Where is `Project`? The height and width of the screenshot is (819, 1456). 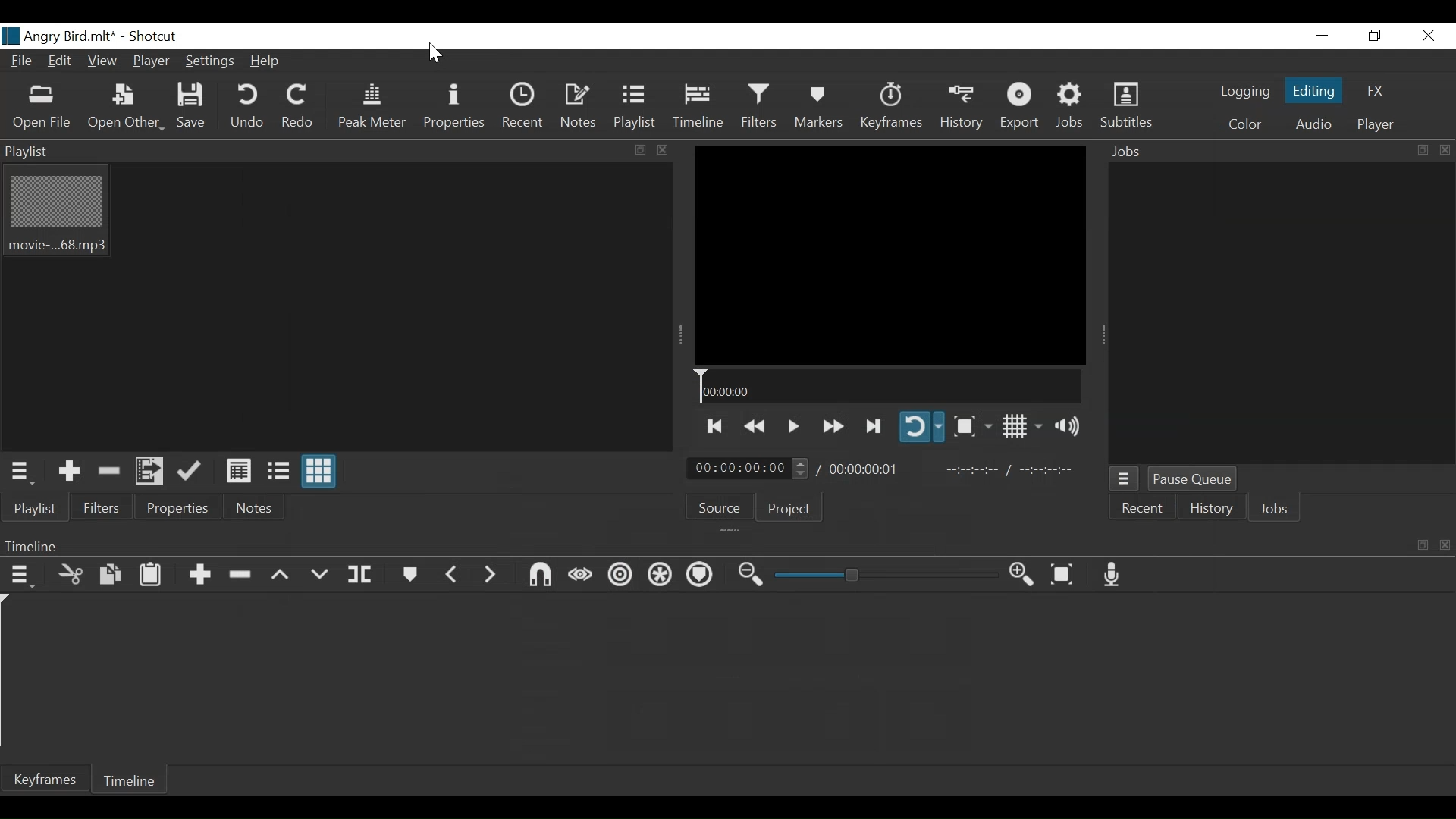
Project is located at coordinates (795, 507).